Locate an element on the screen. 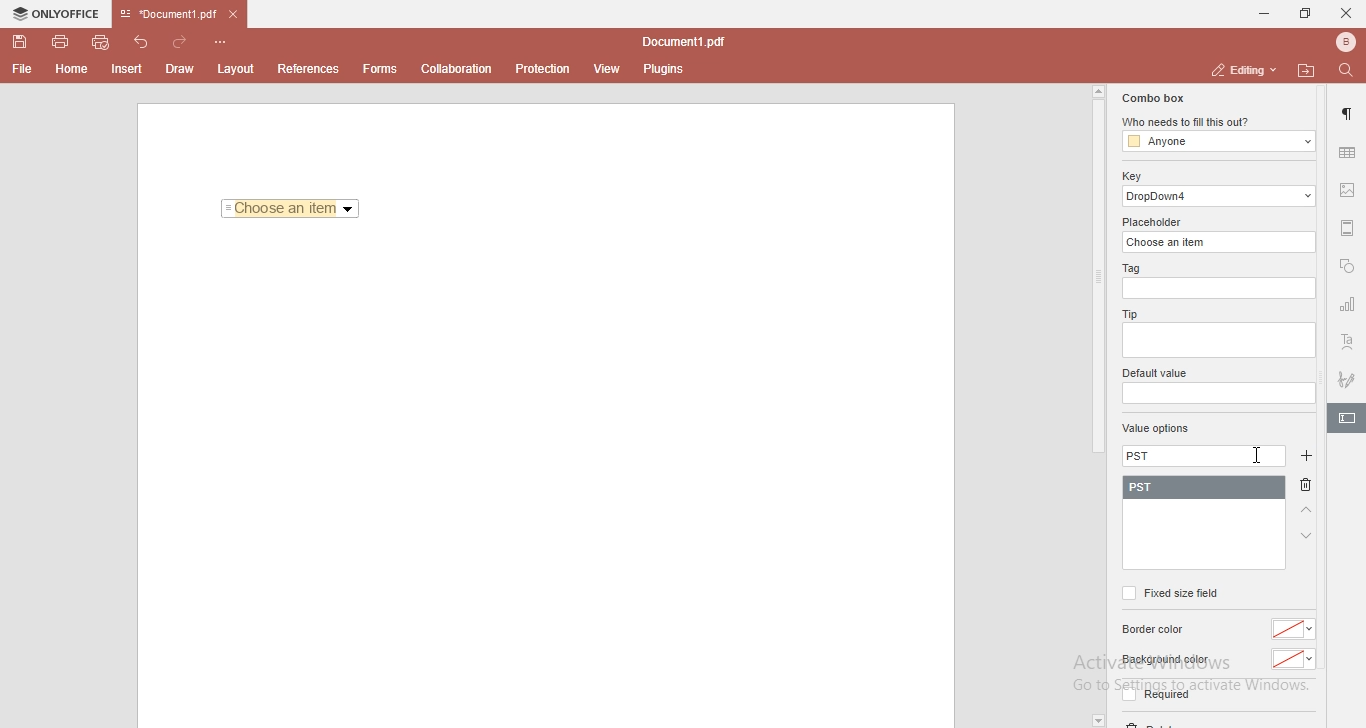  anyone is located at coordinates (1217, 142).